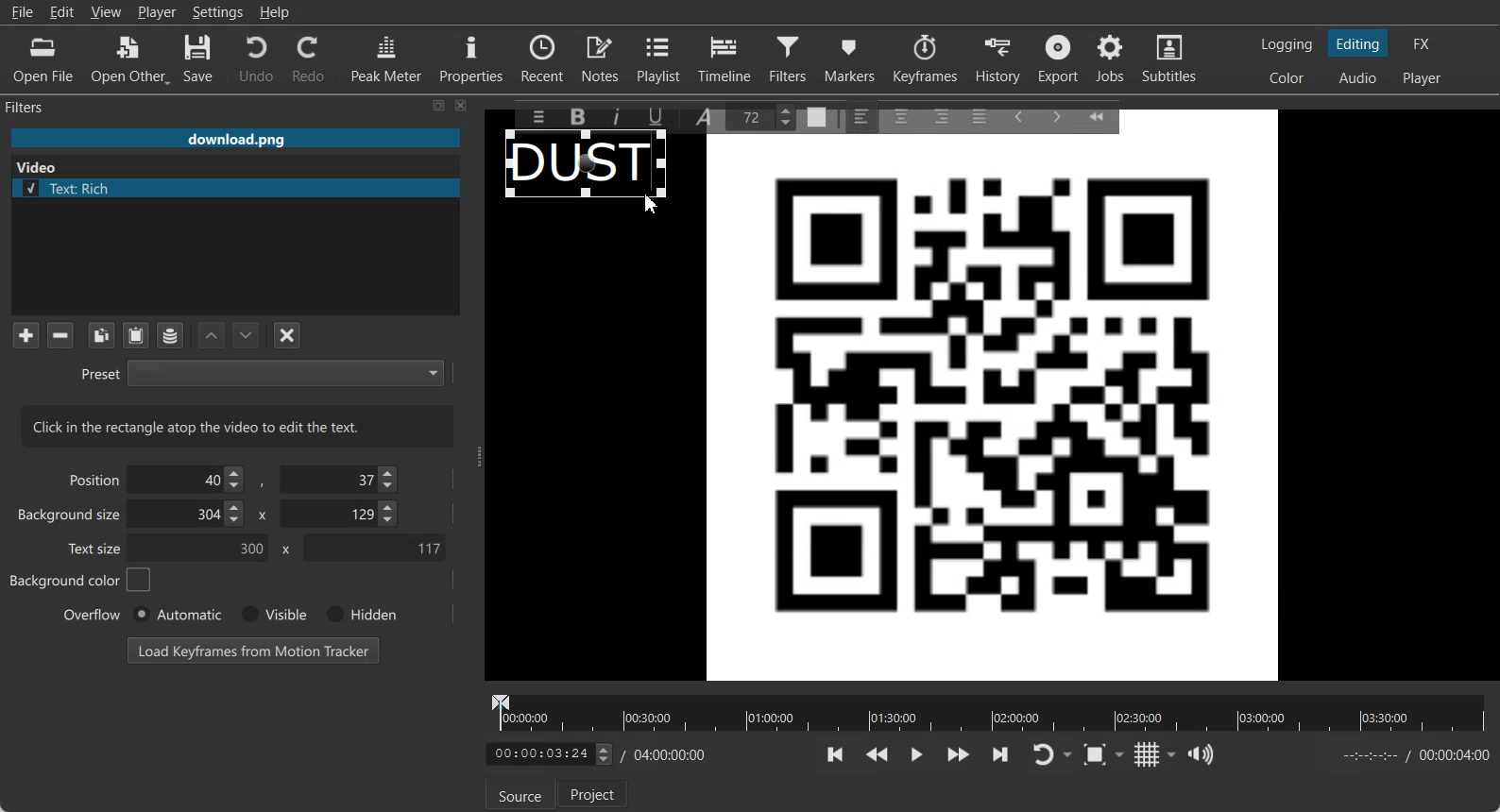  I want to click on x, so click(282, 550).